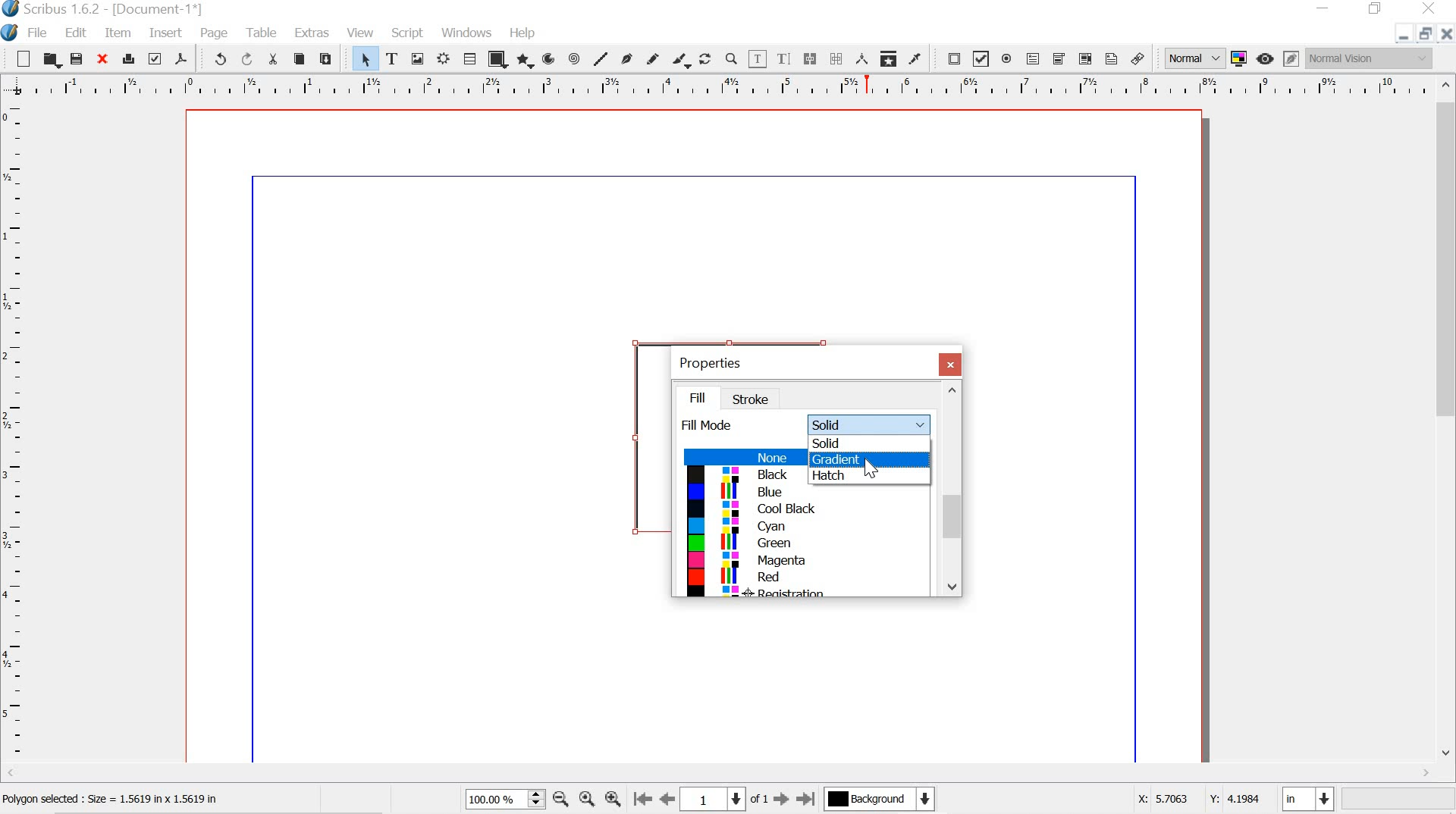 The width and height of the screenshot is (1456, 814). Describe the element at coordinates (601, 58) in the screenshot. I see `line` at that location.